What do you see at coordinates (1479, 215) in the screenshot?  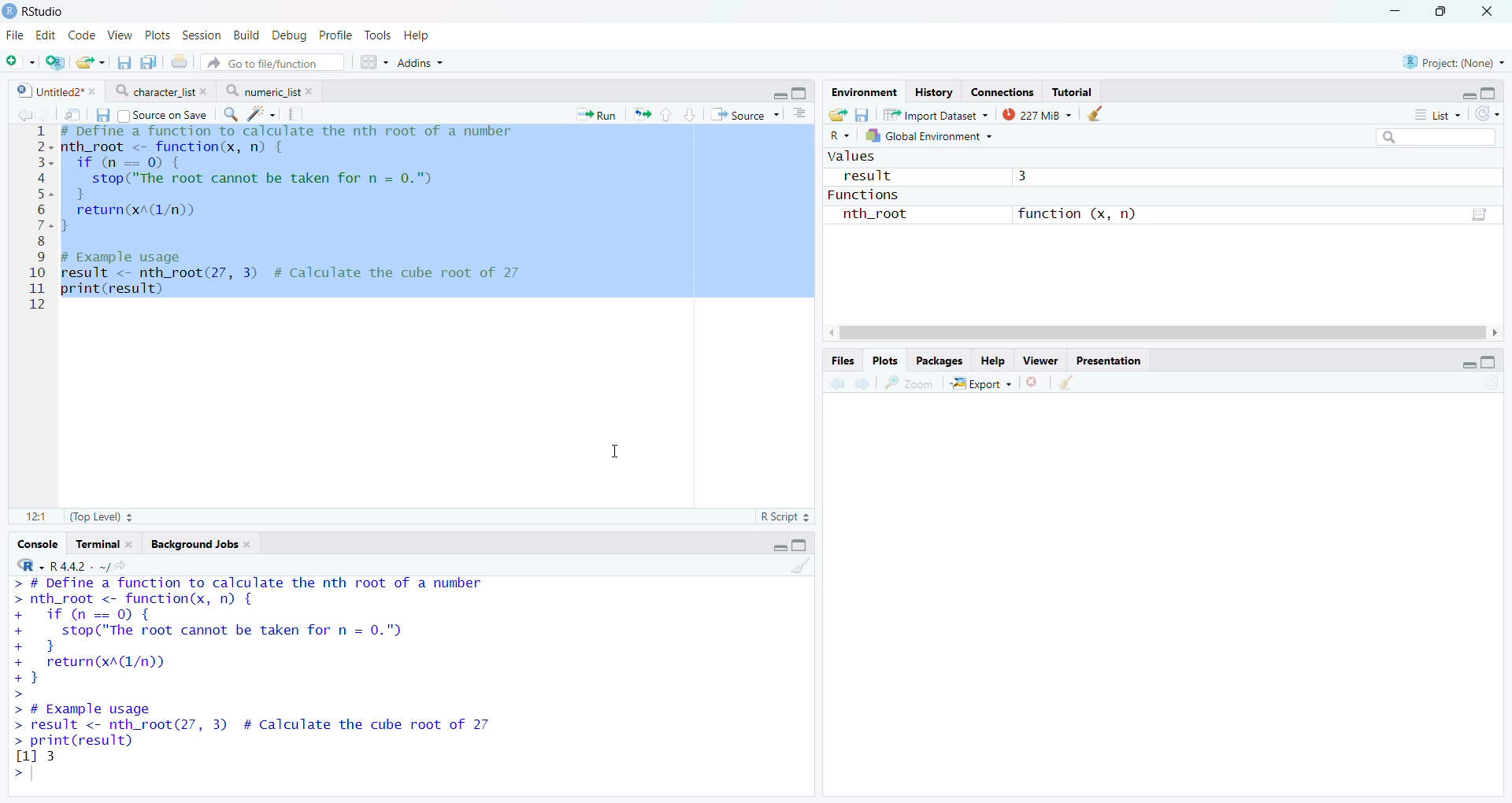 I see `Go to function` at bounding box center [1479, 215].